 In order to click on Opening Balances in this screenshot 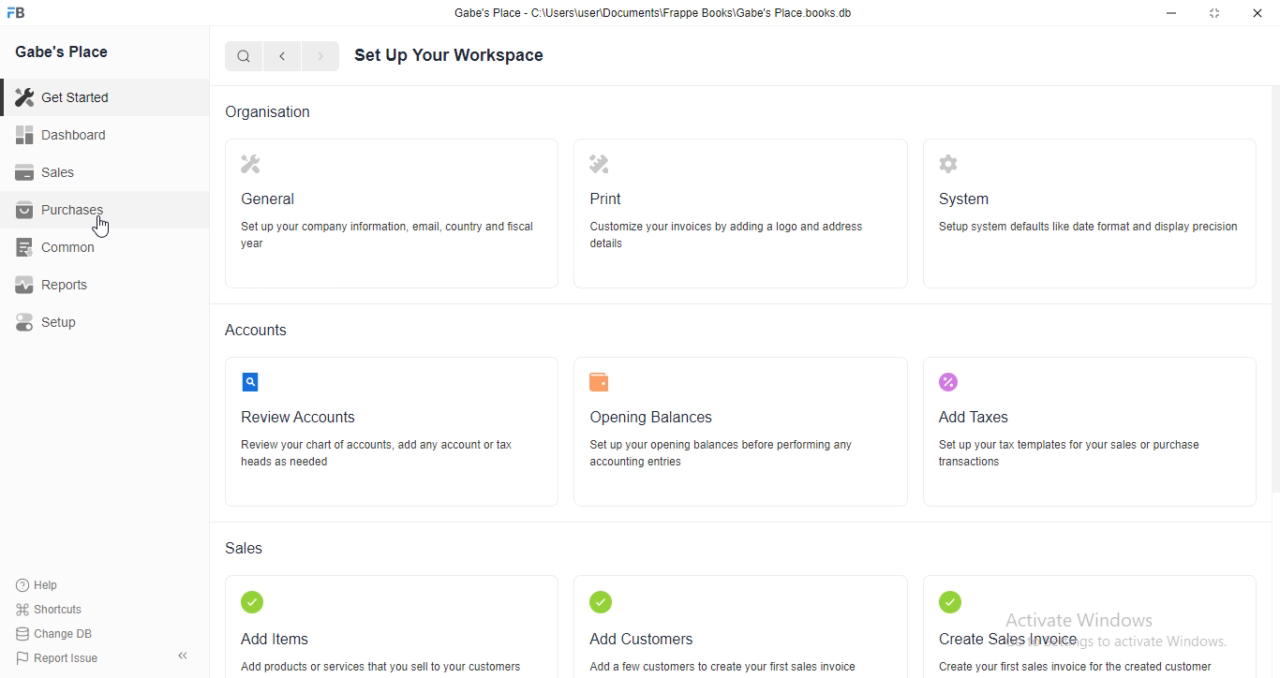, I will do `click(652, 417)`.